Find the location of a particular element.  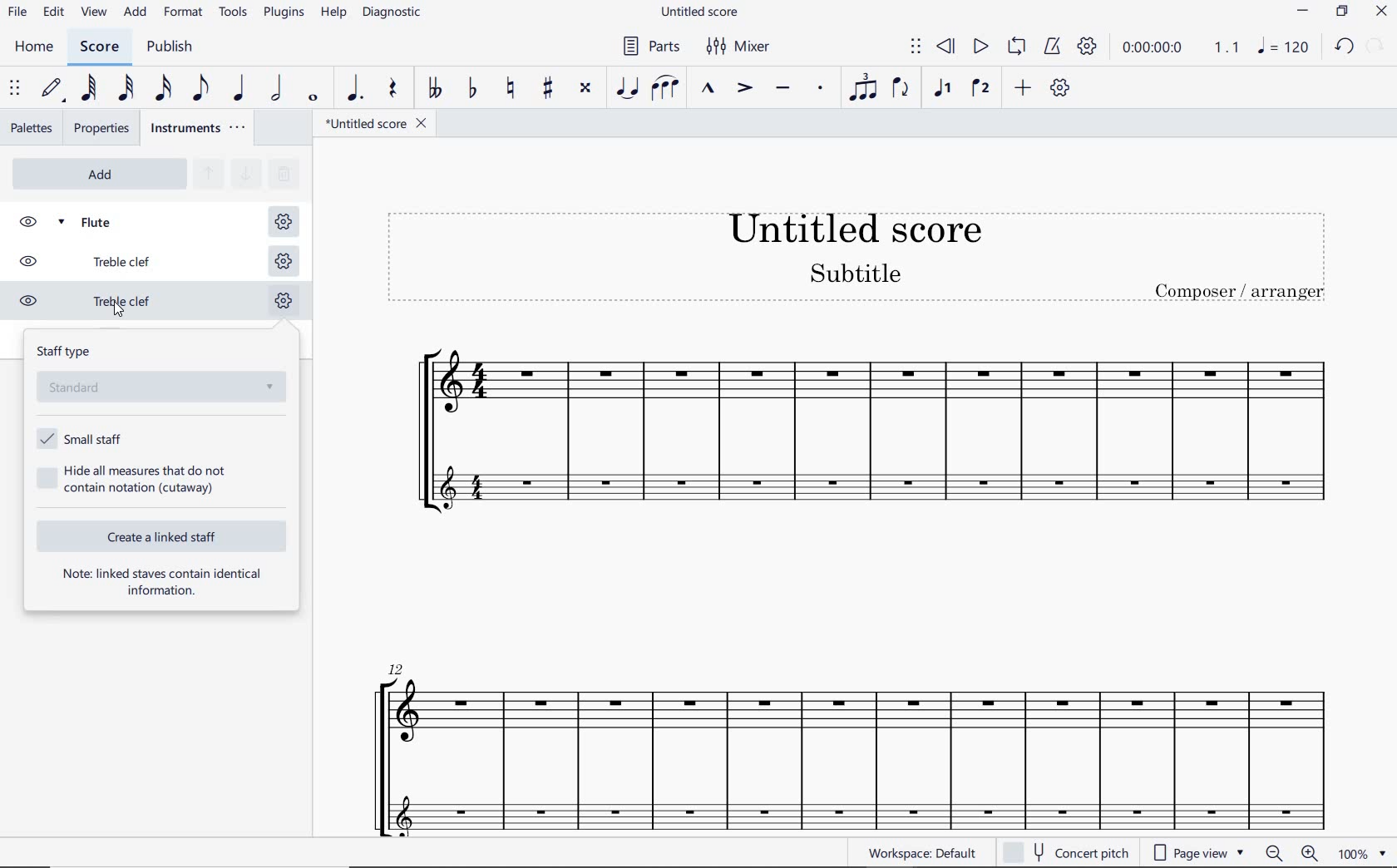

TOOLS is located at coordinates (234, 13).